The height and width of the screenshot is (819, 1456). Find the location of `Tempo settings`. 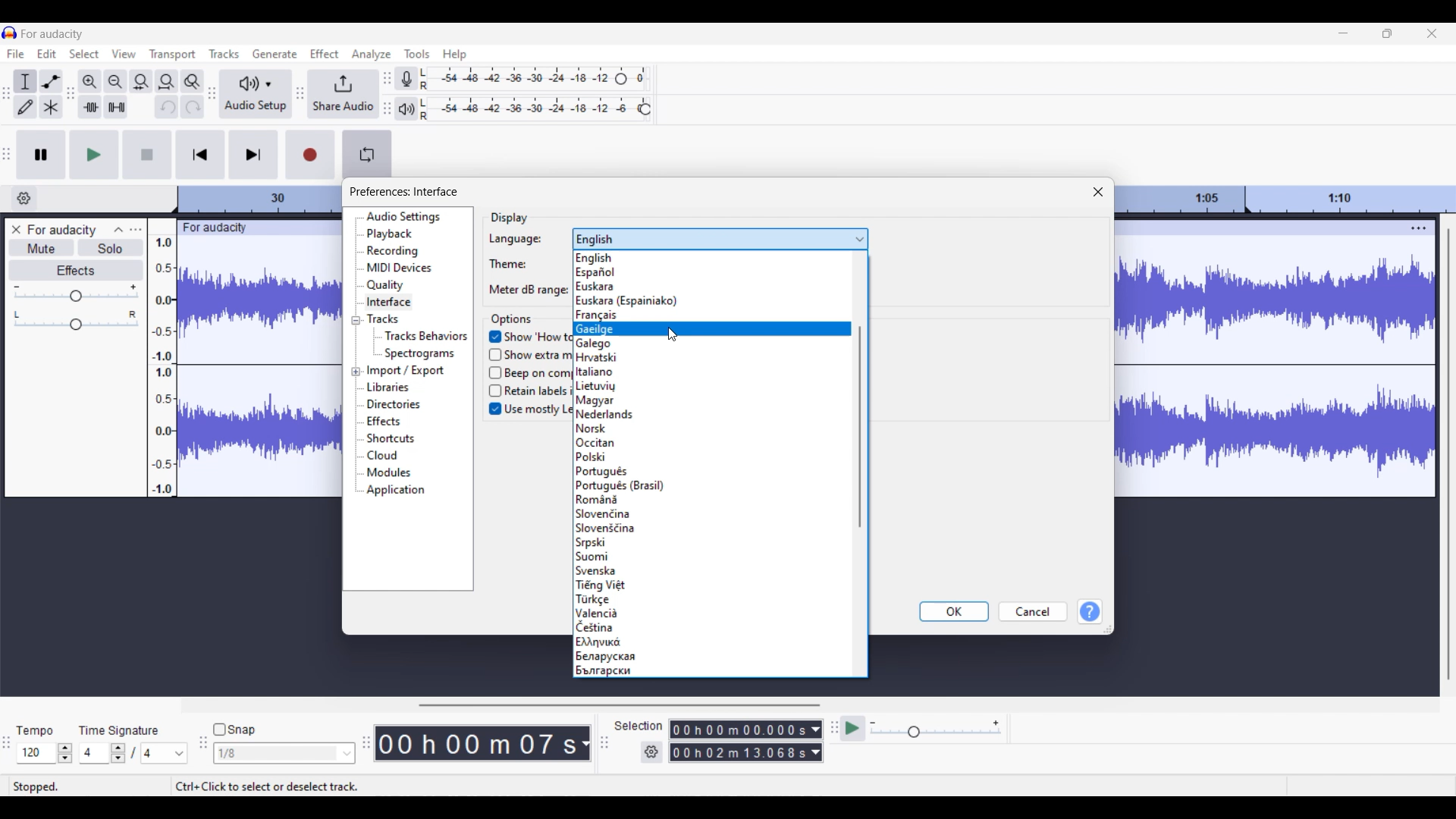

Tempo settings is located at coordinates (45, 753).